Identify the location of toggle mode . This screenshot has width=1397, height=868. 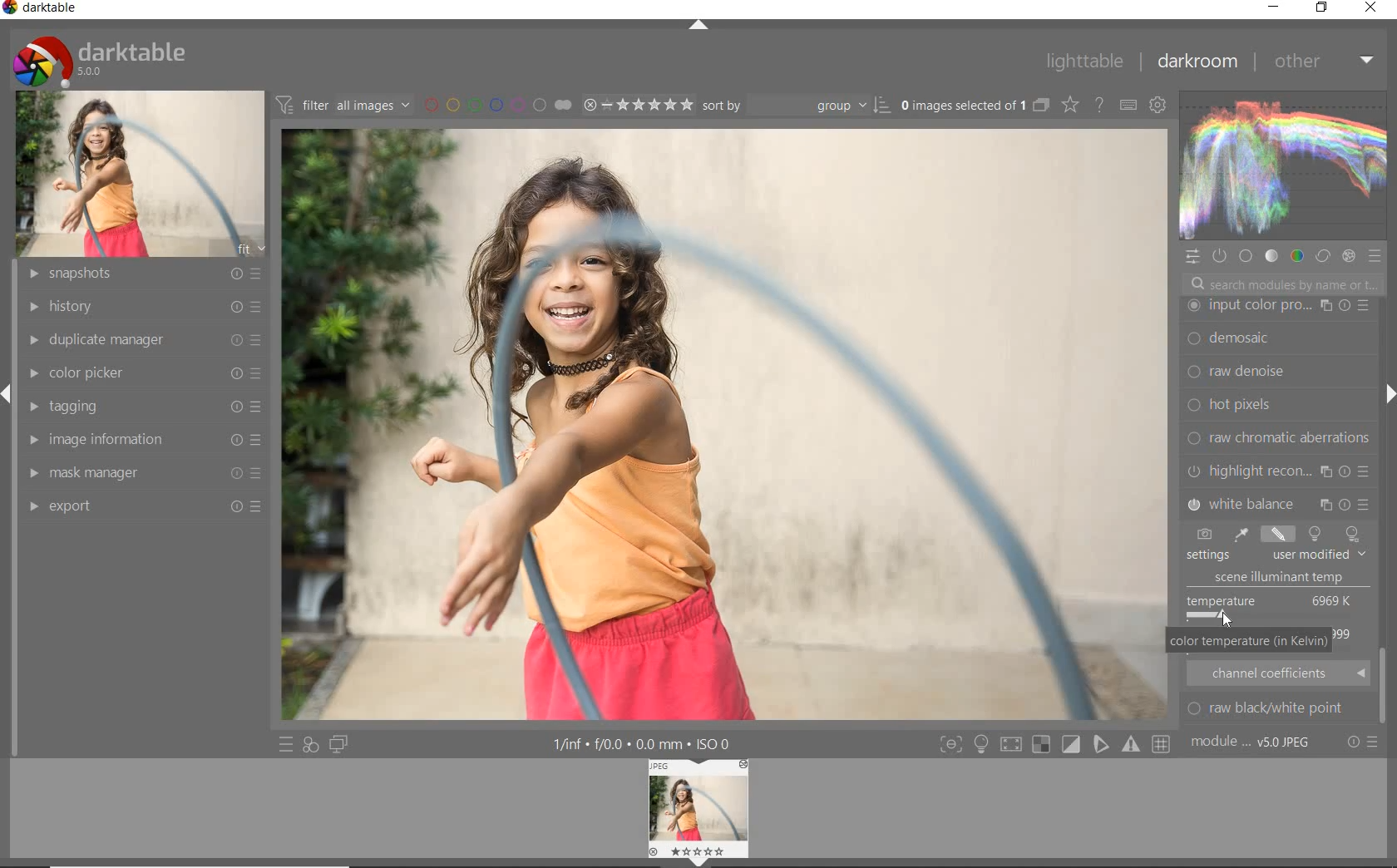
(1102, 747).